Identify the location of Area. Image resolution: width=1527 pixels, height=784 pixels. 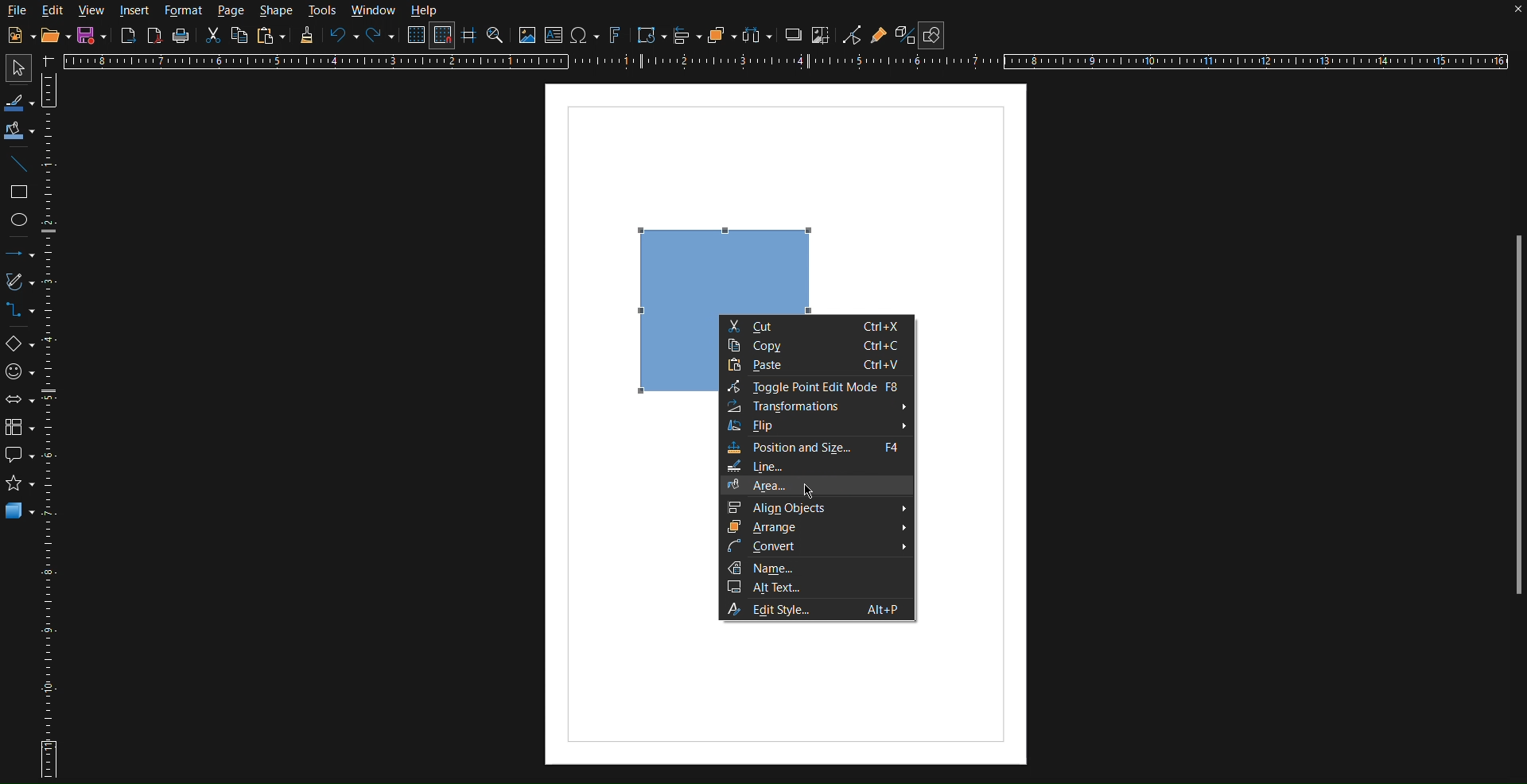
(814, 485).